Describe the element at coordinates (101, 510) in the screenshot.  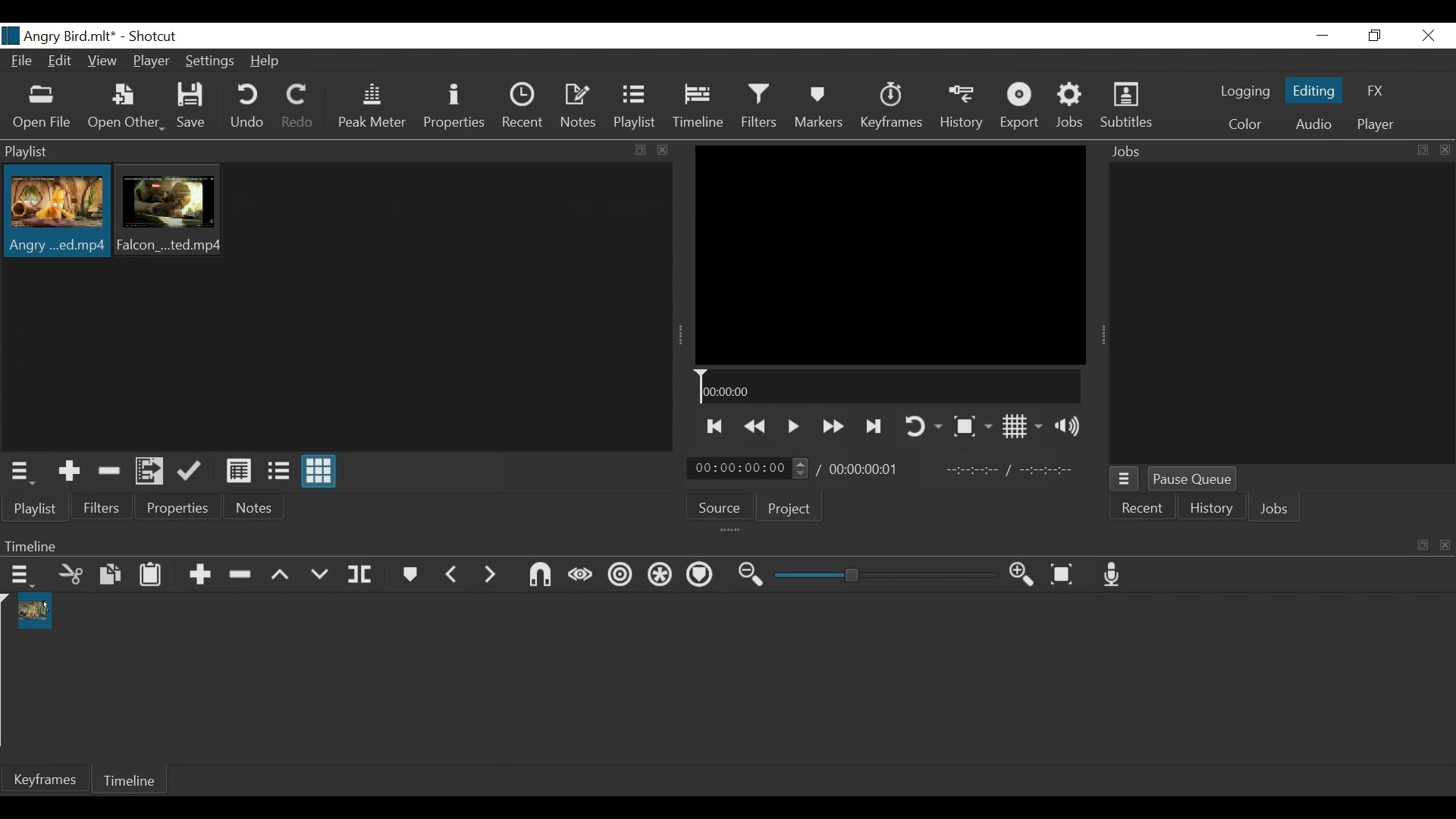
I see `Filters` at that location.